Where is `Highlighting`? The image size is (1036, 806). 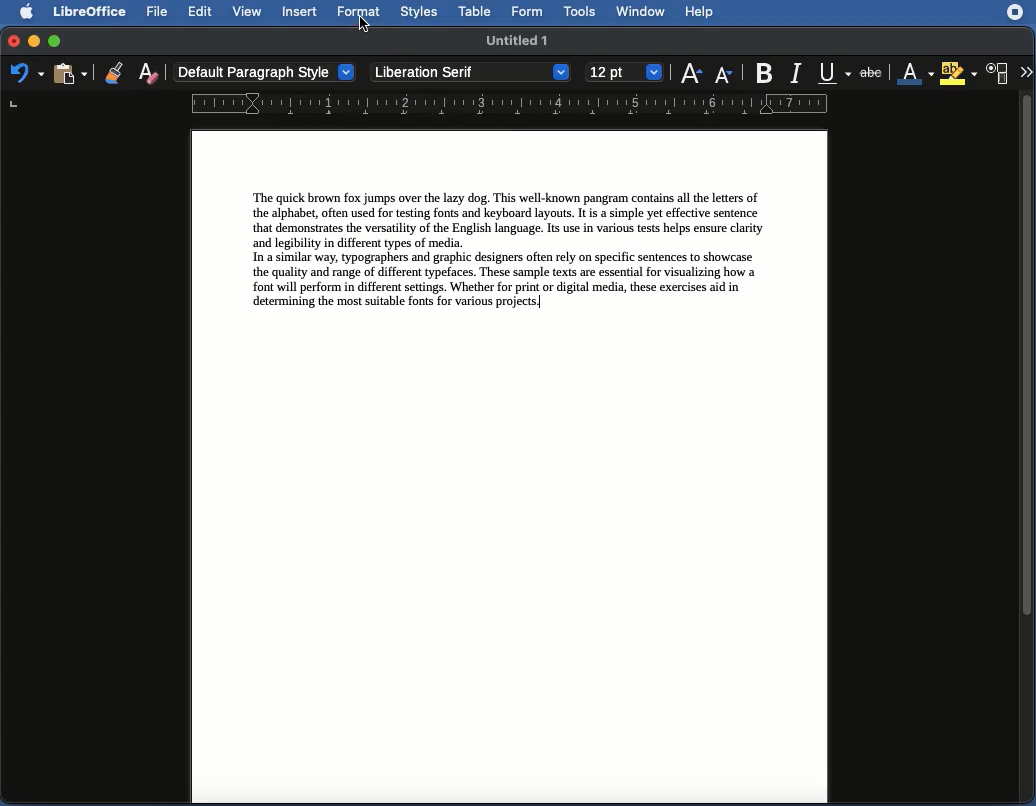
Highlighting is located at coordinates (960, 73).